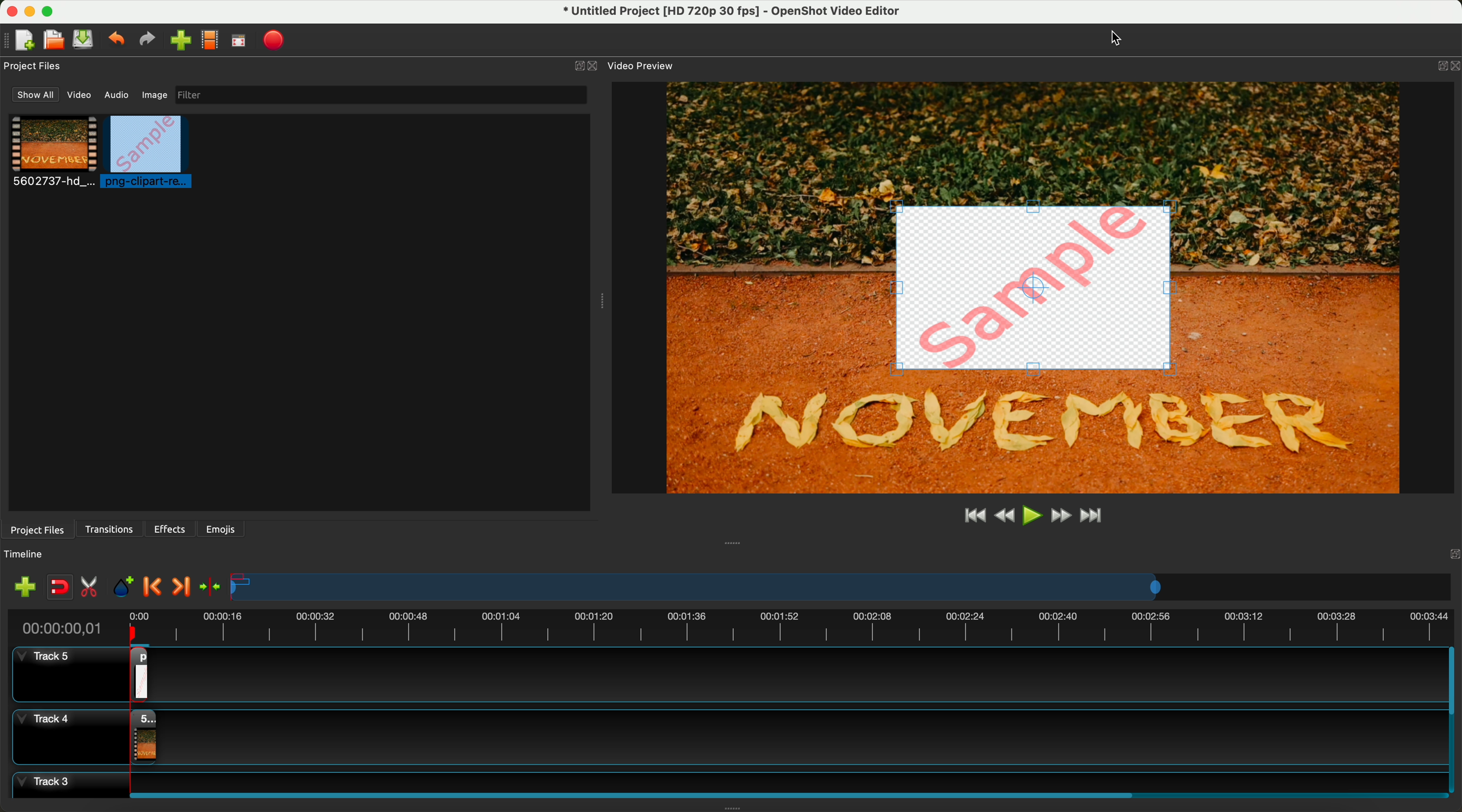 Image resolution: width=1462 pixels, height=812 pixels. Describe the element at coordinates (1003, 517) in the screenshot. I see `rewind` at that location.